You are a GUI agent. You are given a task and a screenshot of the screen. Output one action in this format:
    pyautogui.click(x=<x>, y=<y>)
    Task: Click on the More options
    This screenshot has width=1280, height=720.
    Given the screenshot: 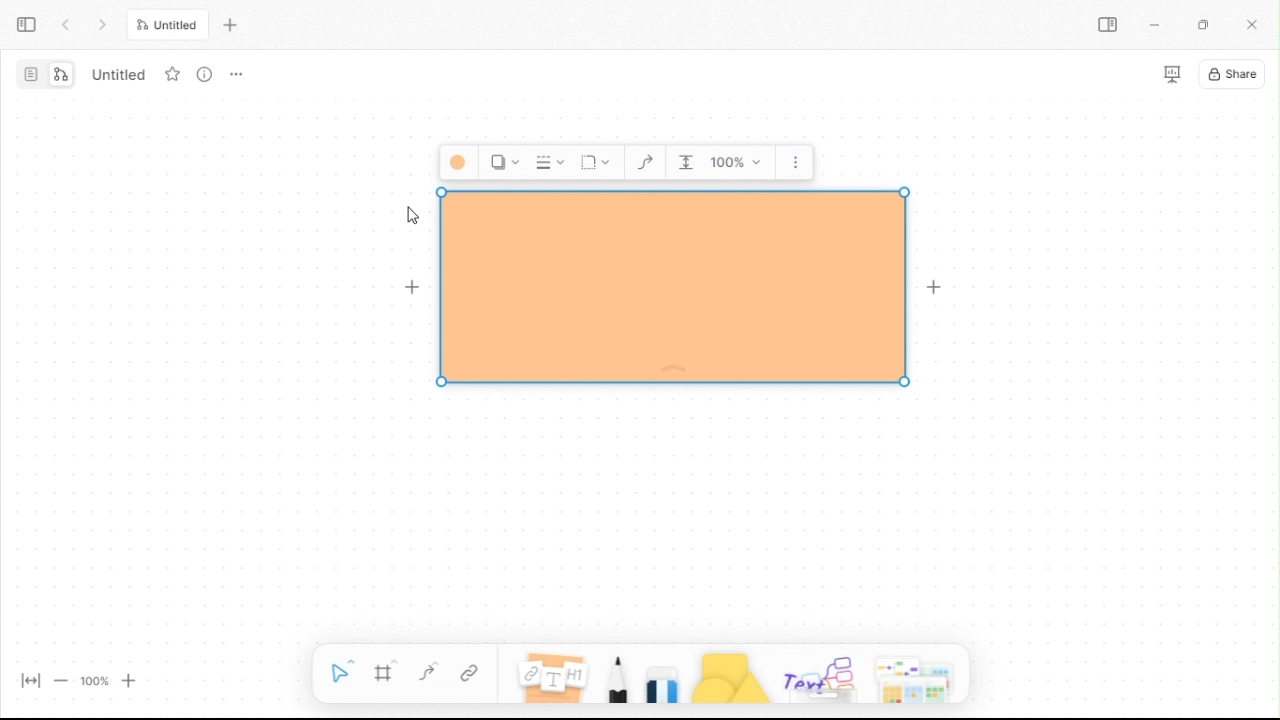 What is the action you would take?
    pyautogui.click(x=796, y=162)
    